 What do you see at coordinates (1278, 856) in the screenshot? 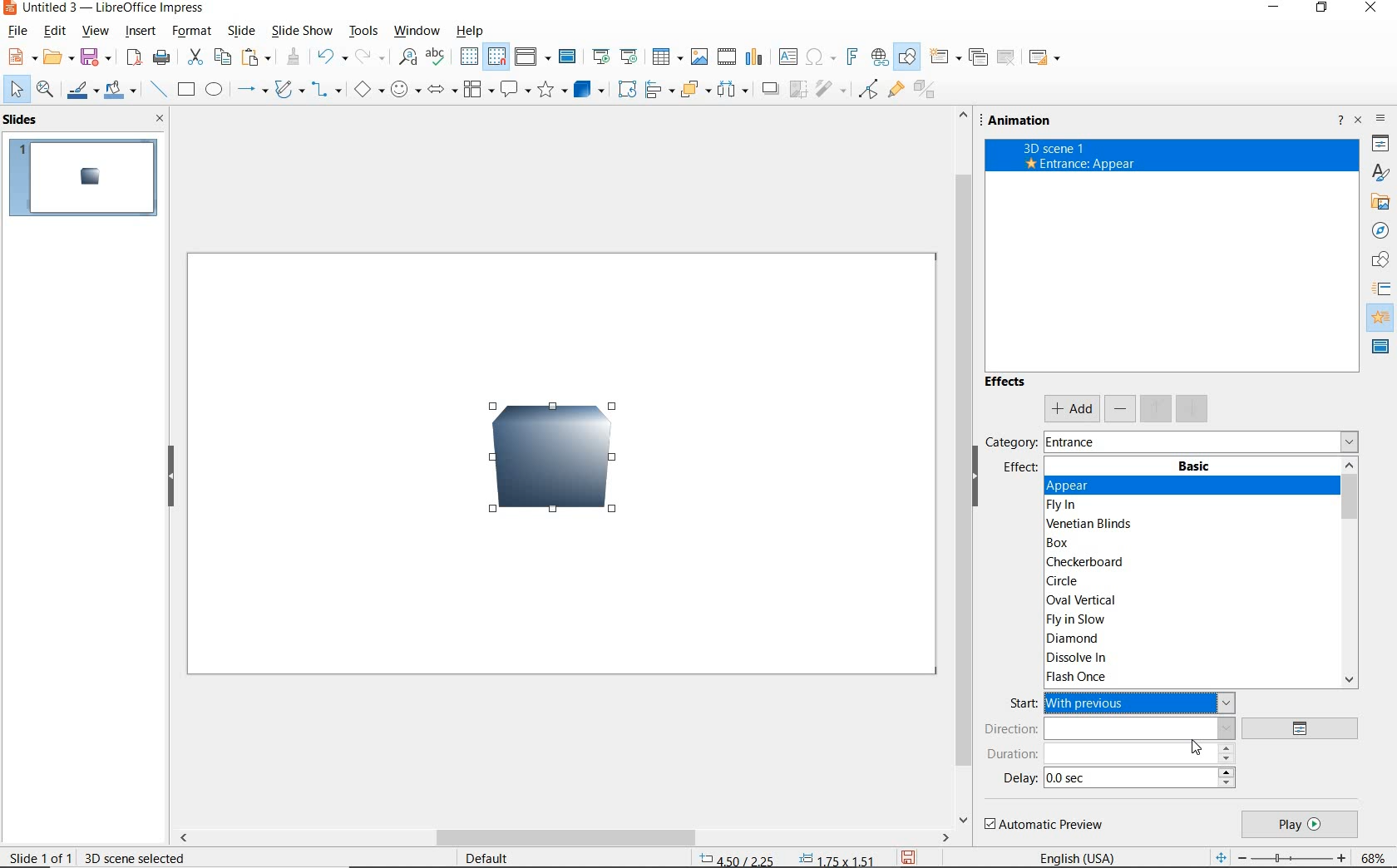
I see `zoom out or zoom in` at bounding box center [1278, 856].